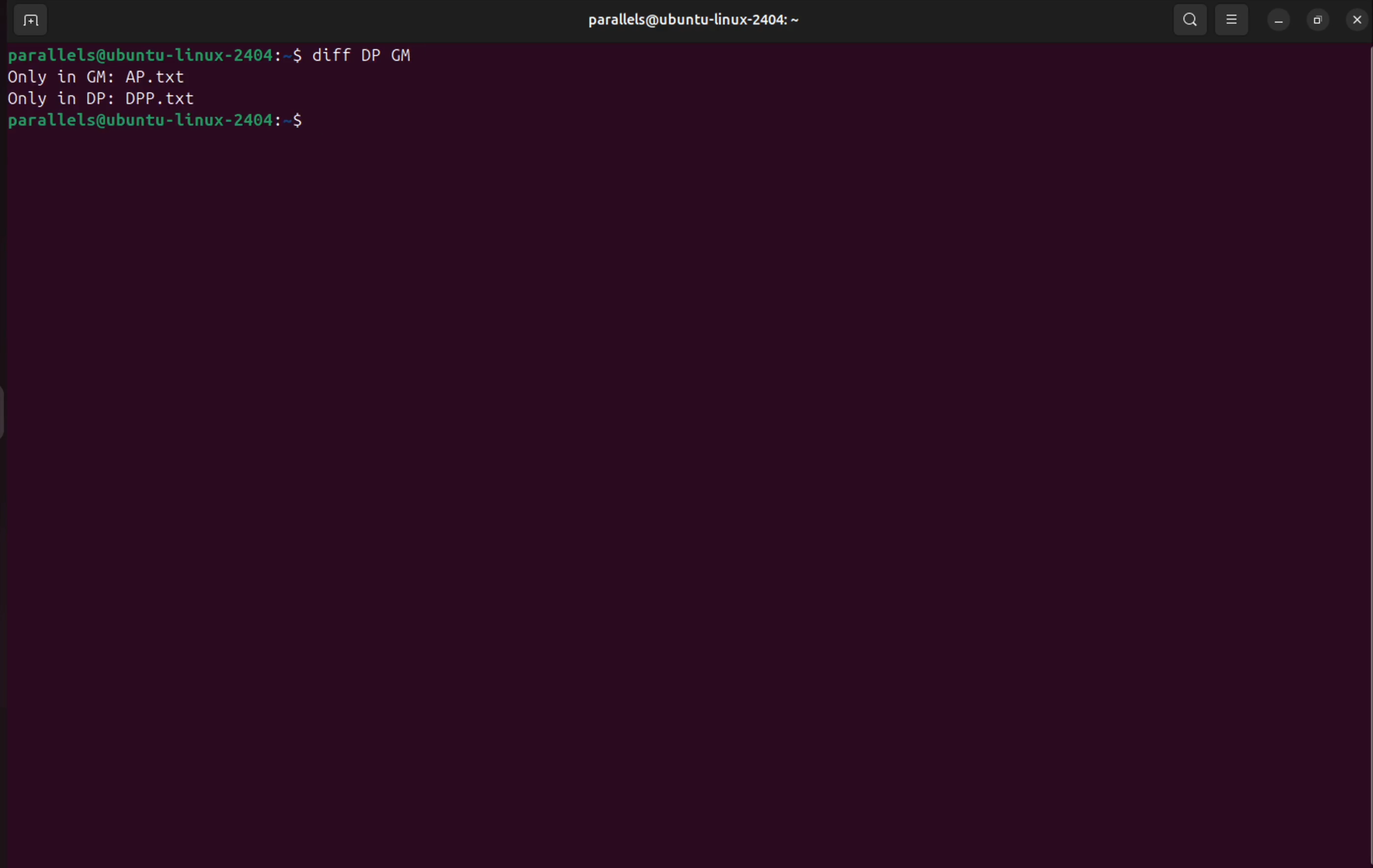 The height and width of the screenshot is (868, 1373). What do you see at coordinates (176, 76) in the screenshot?
I see `Ap.txt` at bounding box center [176, 76].